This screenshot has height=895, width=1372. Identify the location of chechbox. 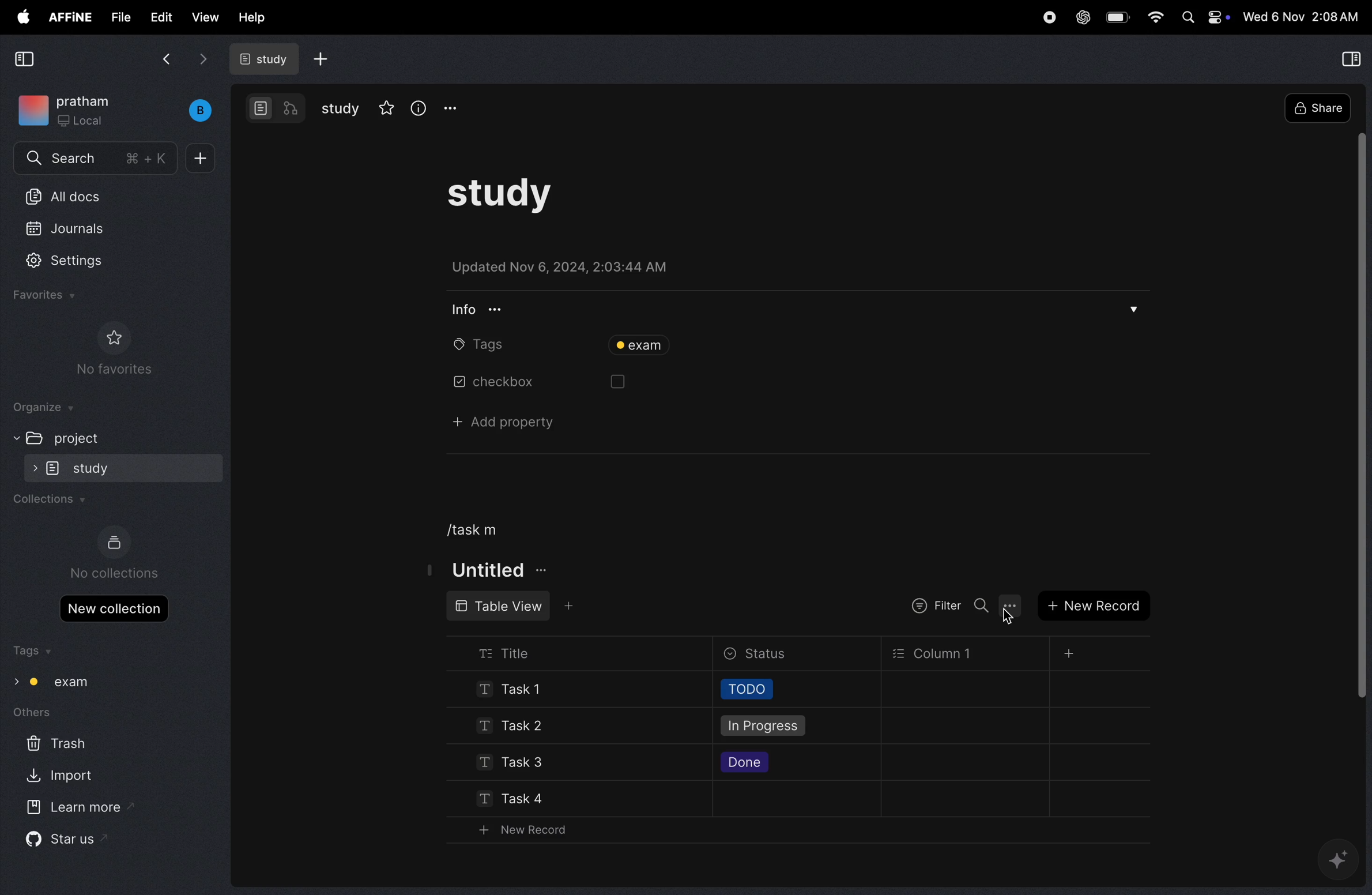
(478, 383).